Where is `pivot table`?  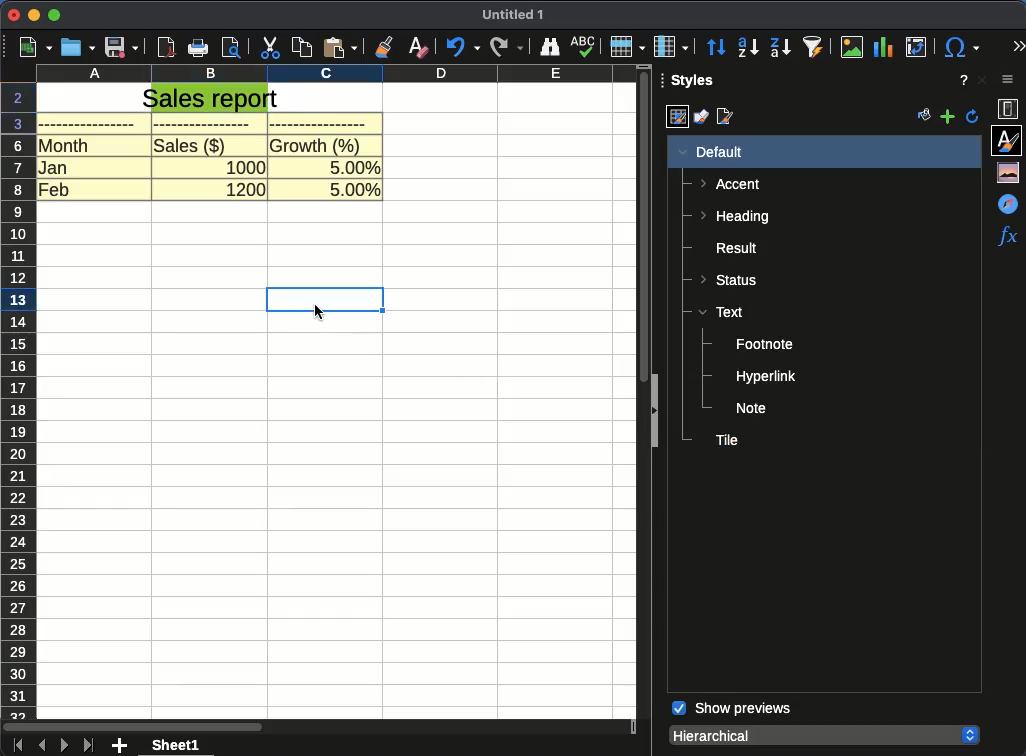
pivot table is located at coordinates (914, 48).